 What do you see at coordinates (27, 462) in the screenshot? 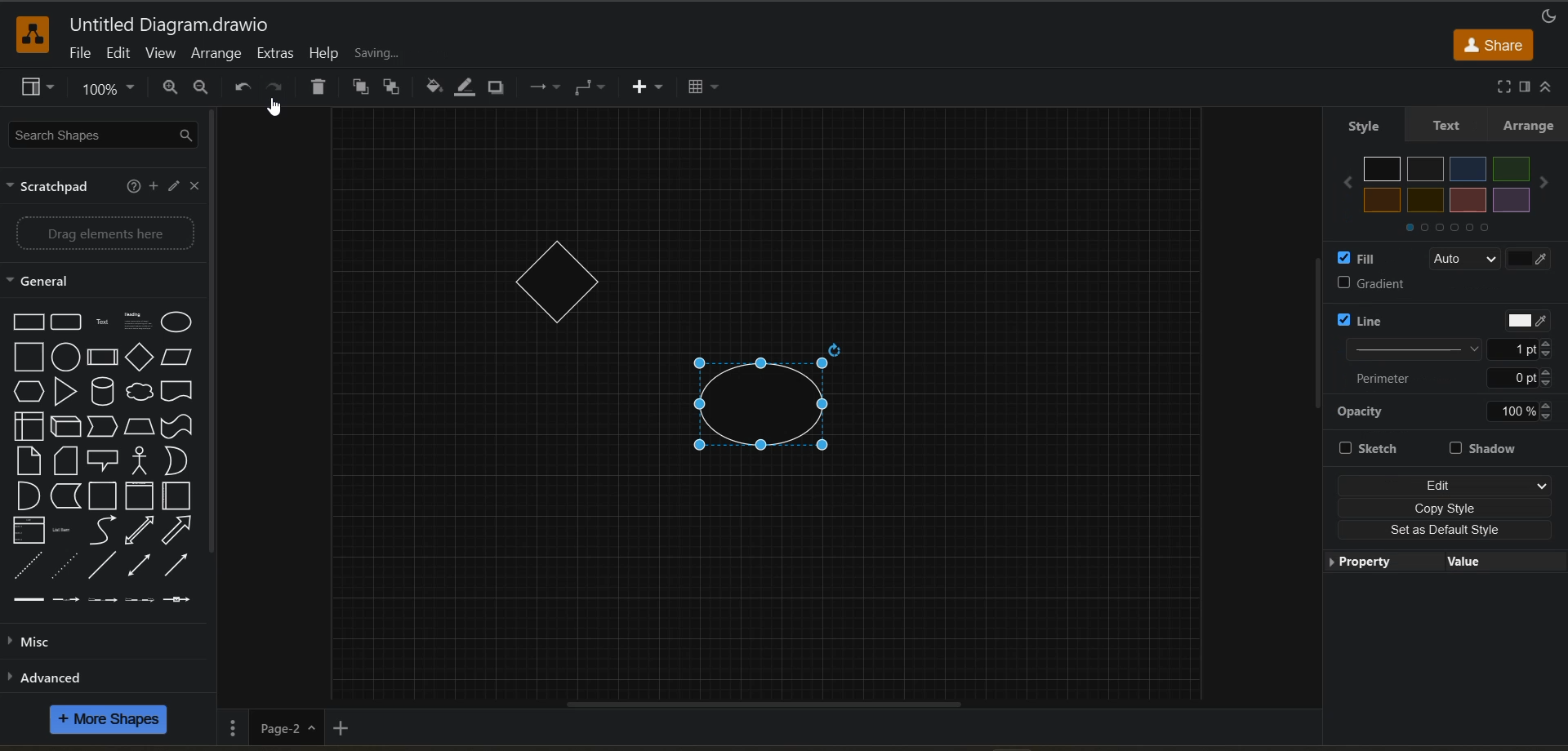
I see `note` at bounding box center [27, 462].